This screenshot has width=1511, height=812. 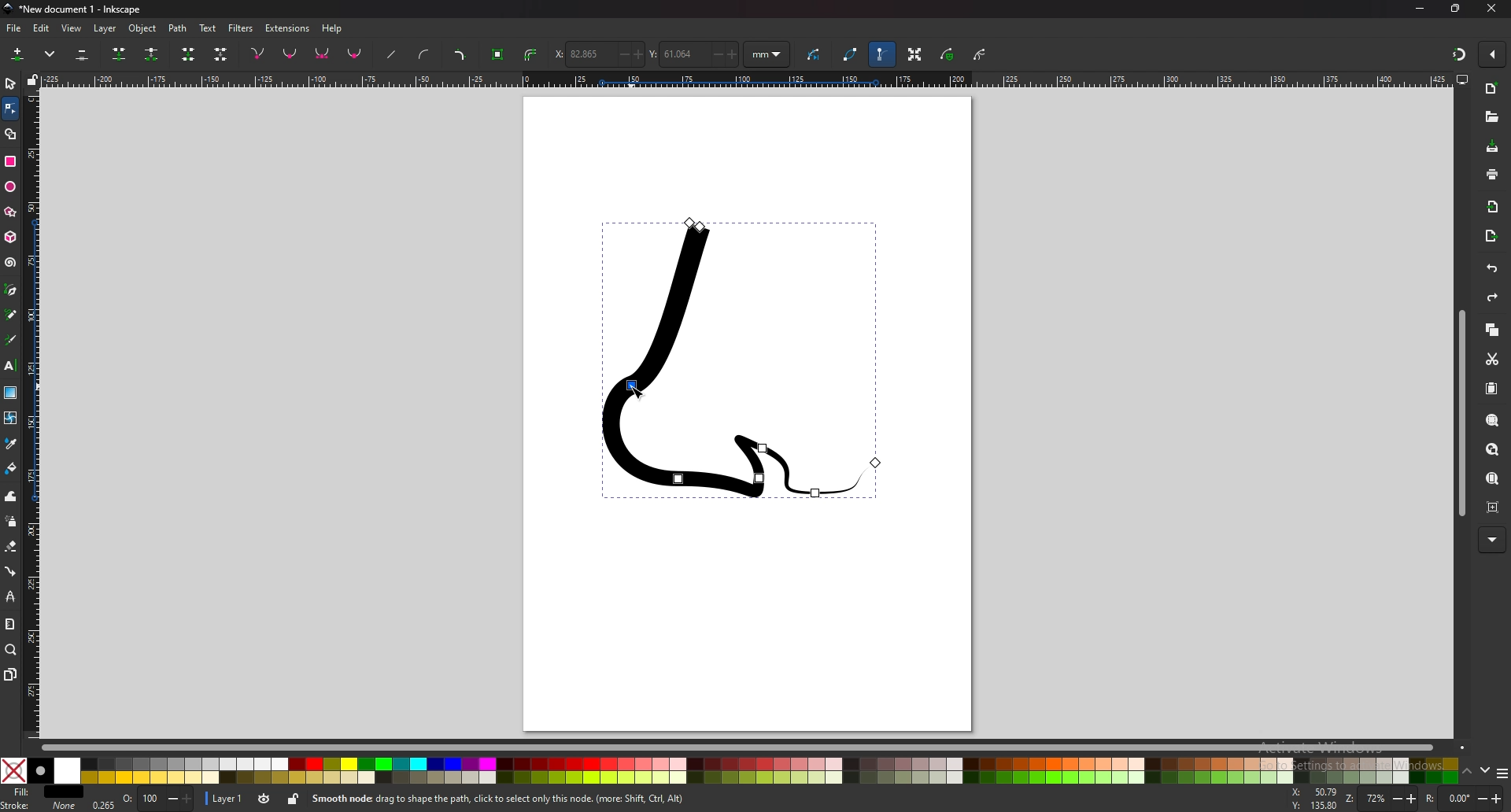 I want to click on paste, so click(x=1491, y=389).